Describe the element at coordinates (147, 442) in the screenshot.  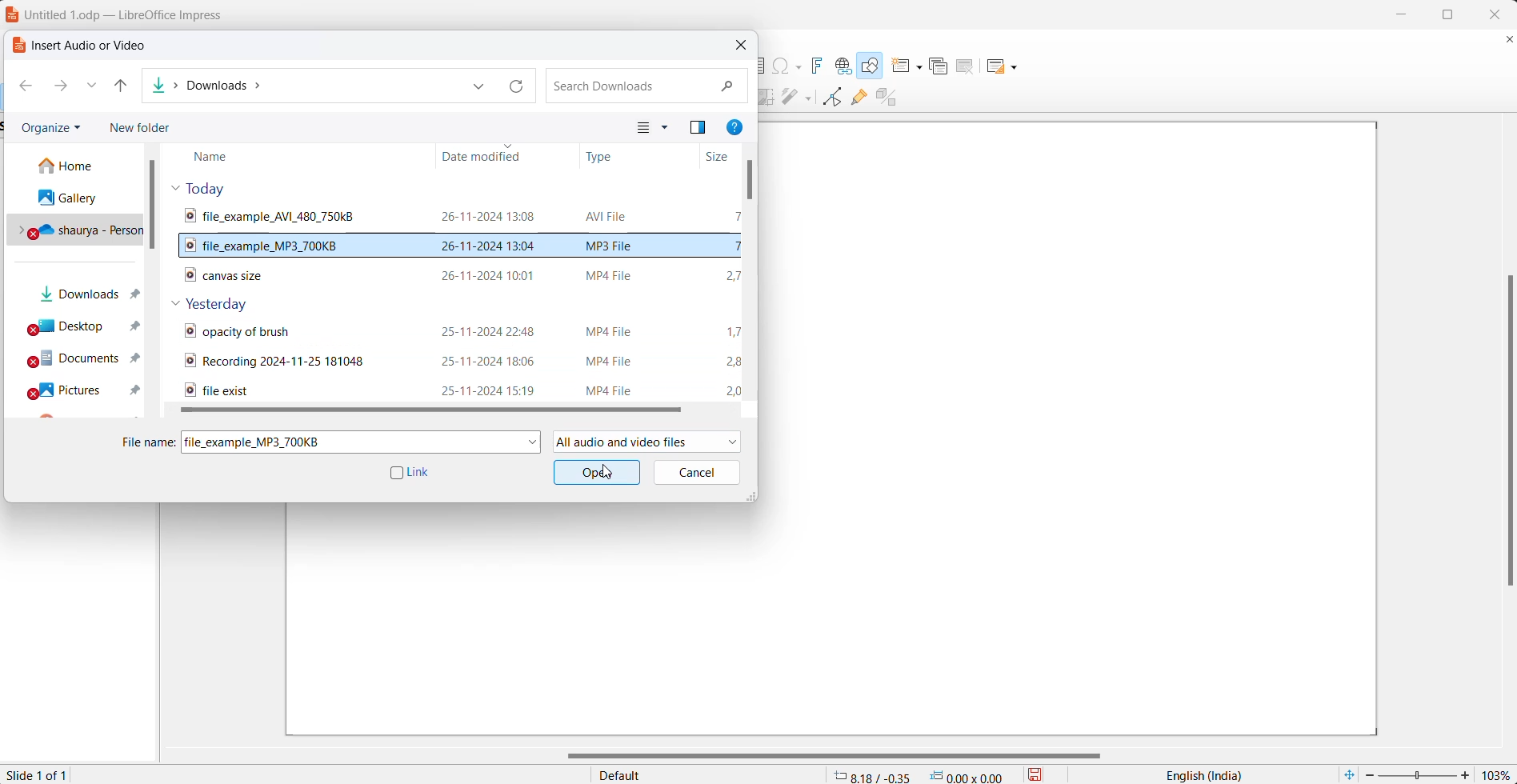
I see `file name` at that location.